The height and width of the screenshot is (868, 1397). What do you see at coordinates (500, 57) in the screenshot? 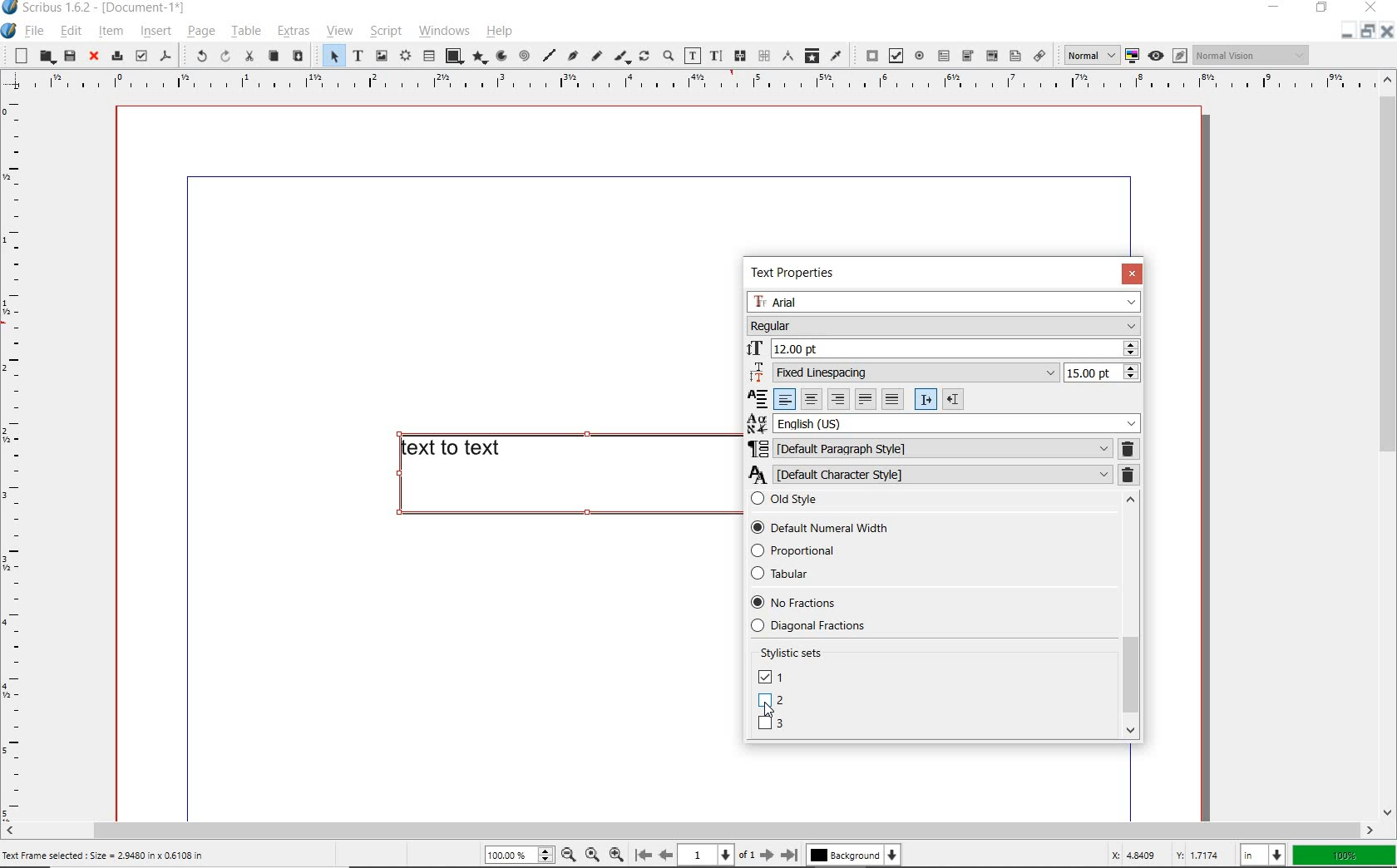
I see `arc` at bounding box center [500, 57].